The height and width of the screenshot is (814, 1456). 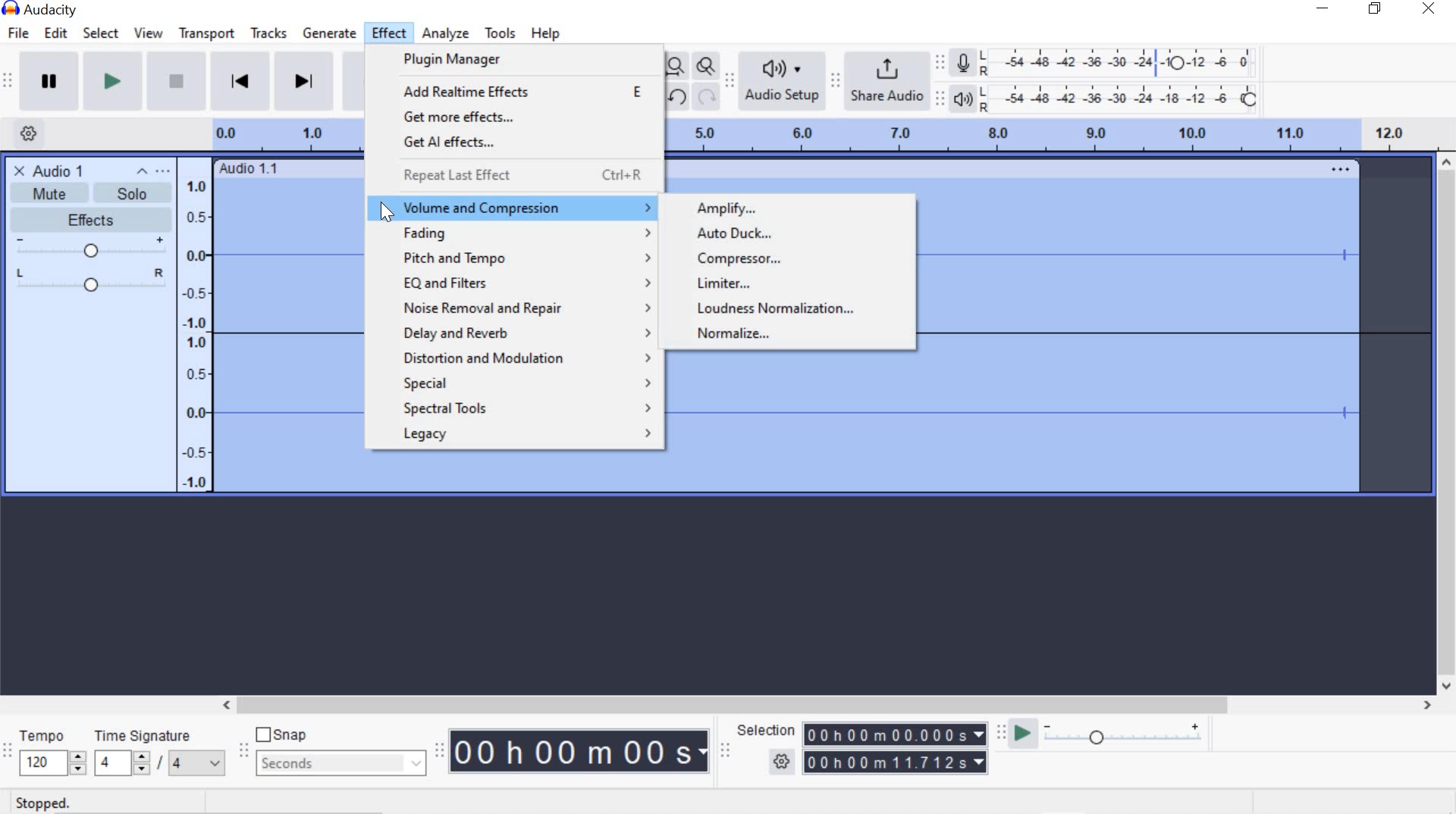 I want to click on TIME SIGNATURE, so click(x=158, y=753).